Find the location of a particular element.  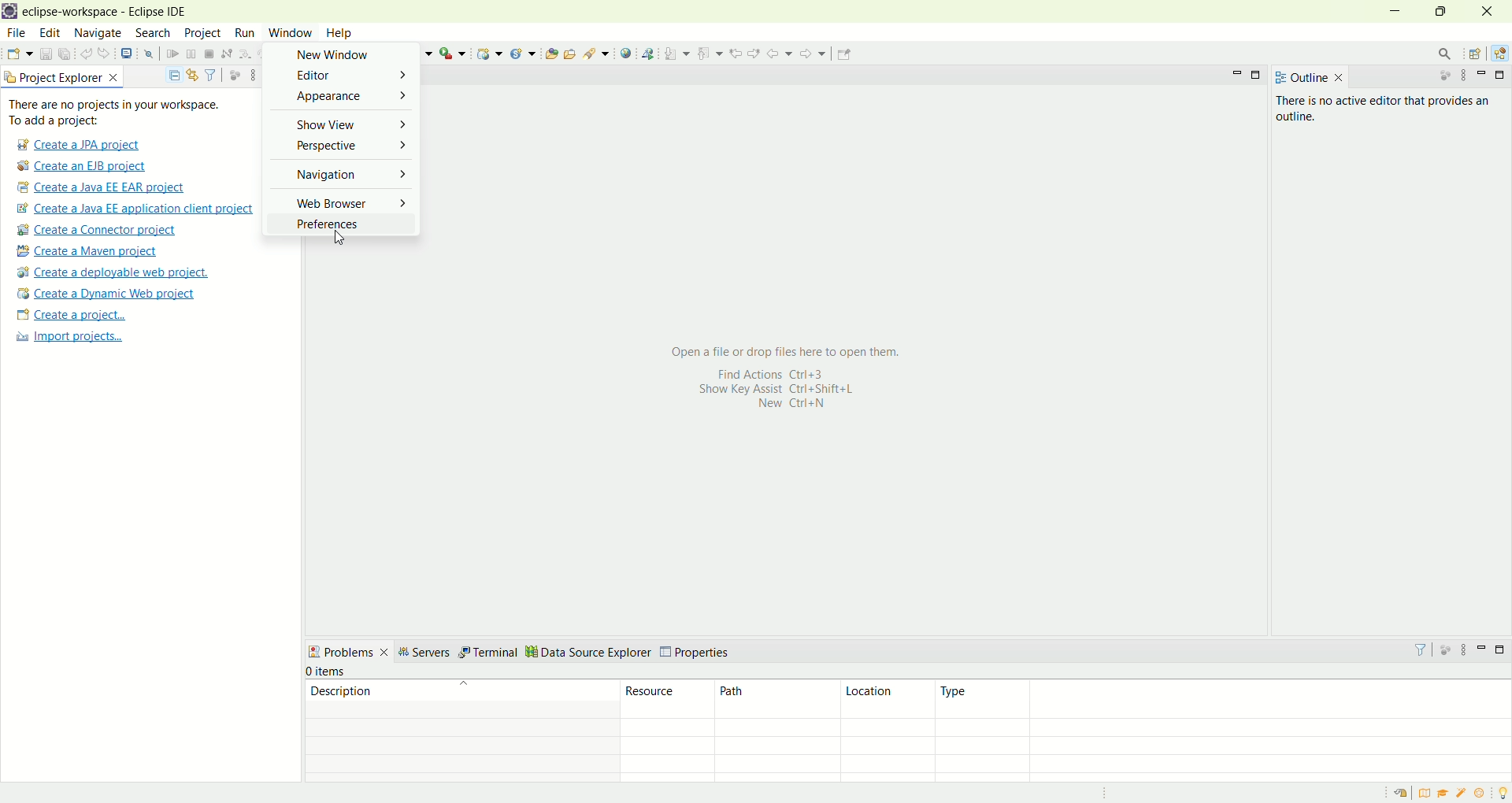

suspend is located at coordinates (191, 55).